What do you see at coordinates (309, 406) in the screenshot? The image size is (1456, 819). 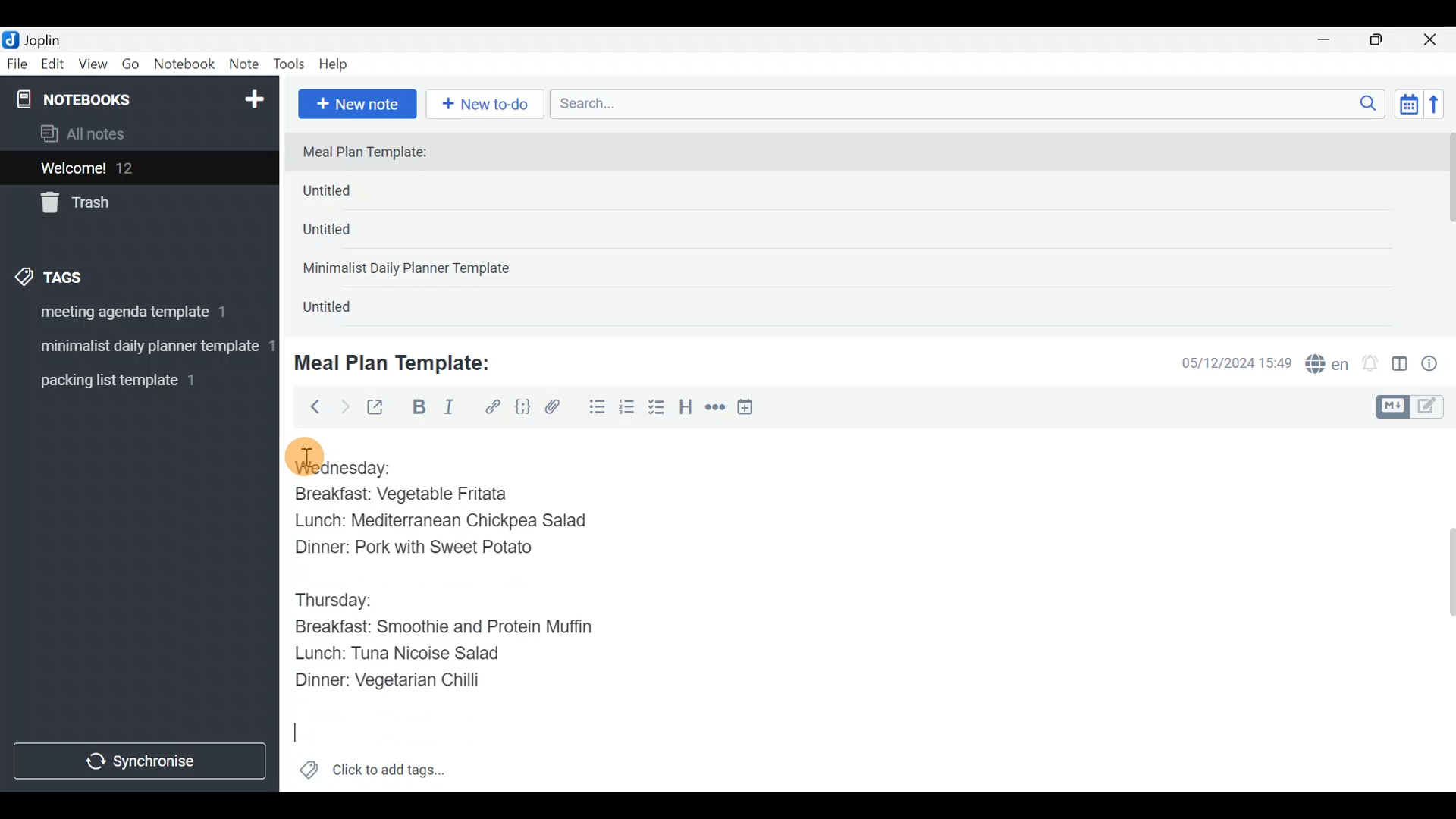 I see `Back` at bounding box center [309, 406].